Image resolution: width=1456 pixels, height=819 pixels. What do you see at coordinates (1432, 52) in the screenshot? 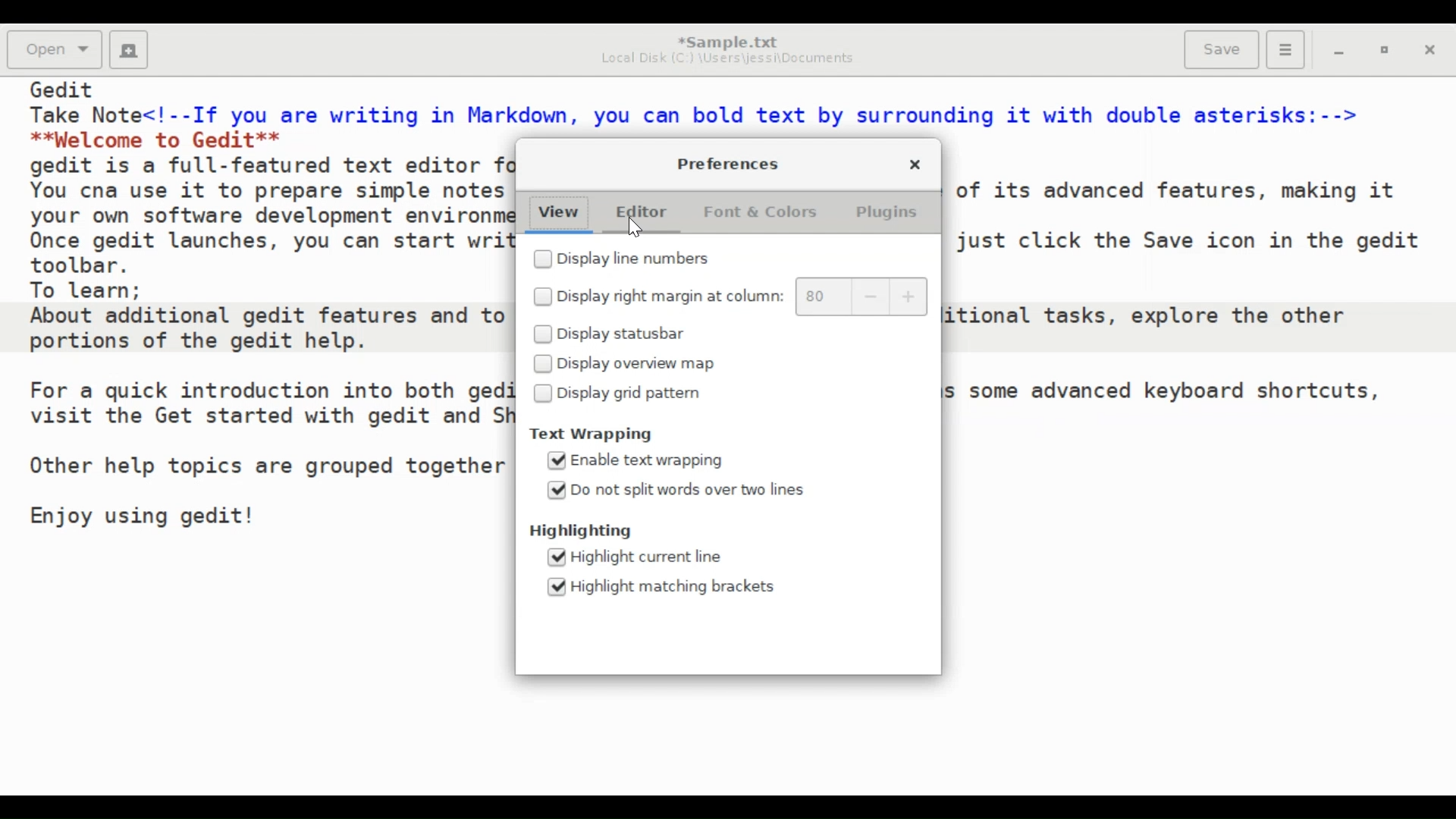
I see `Close` at bounding box center [1432, 52].